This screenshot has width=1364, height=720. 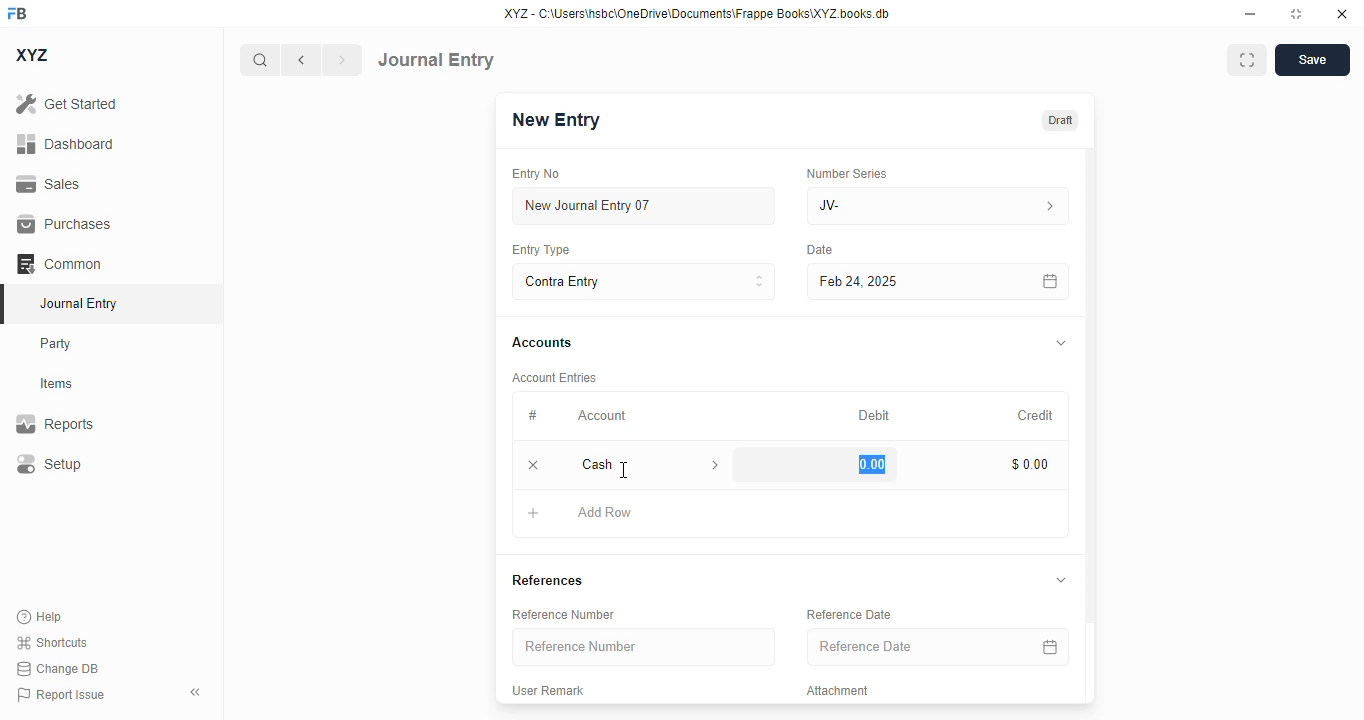 I want to click on JV-, so click(x=938, y=206).